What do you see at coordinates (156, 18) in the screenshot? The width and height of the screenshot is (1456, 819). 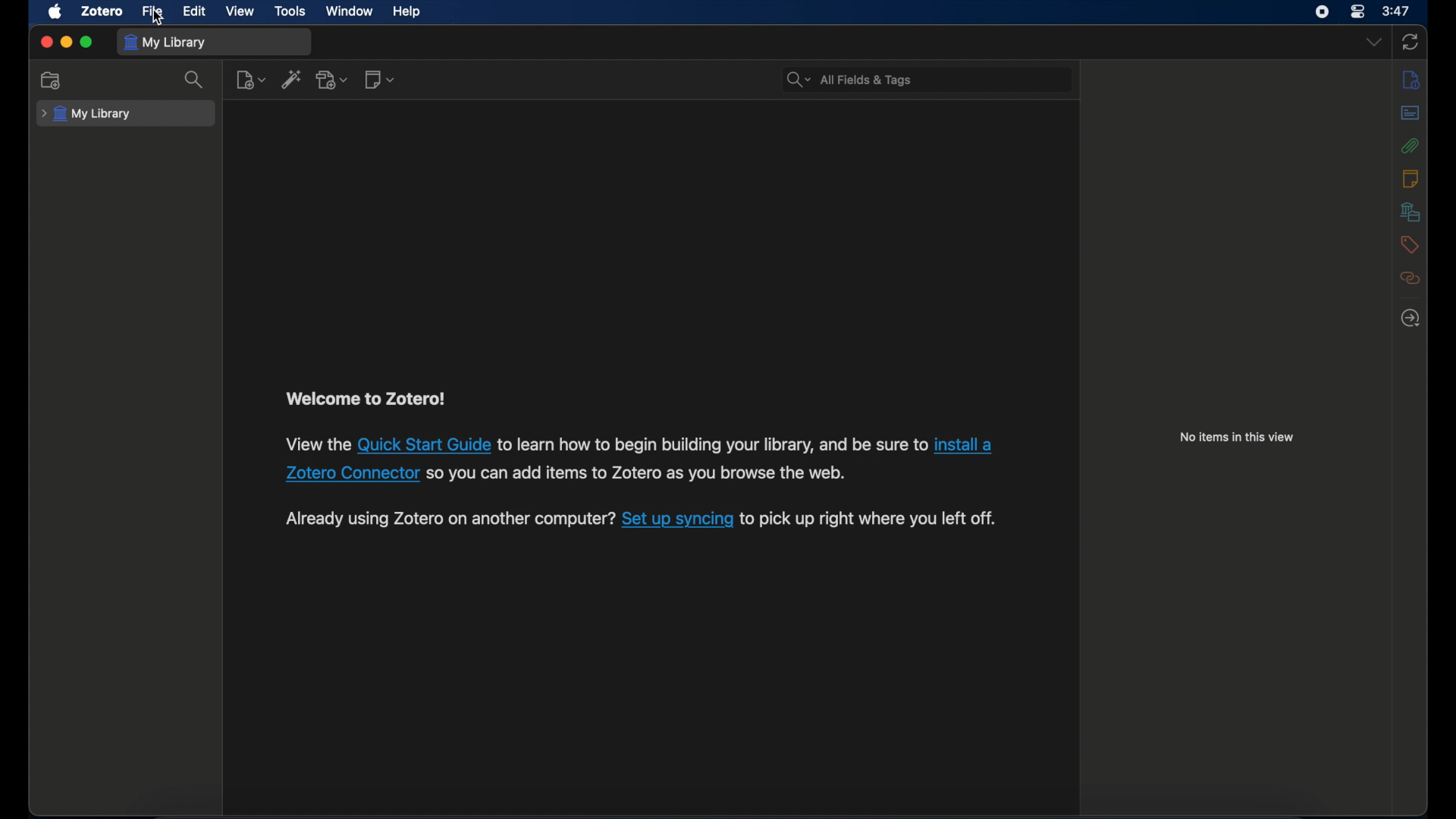 I see `cursor` at bounding box center [156, 18].